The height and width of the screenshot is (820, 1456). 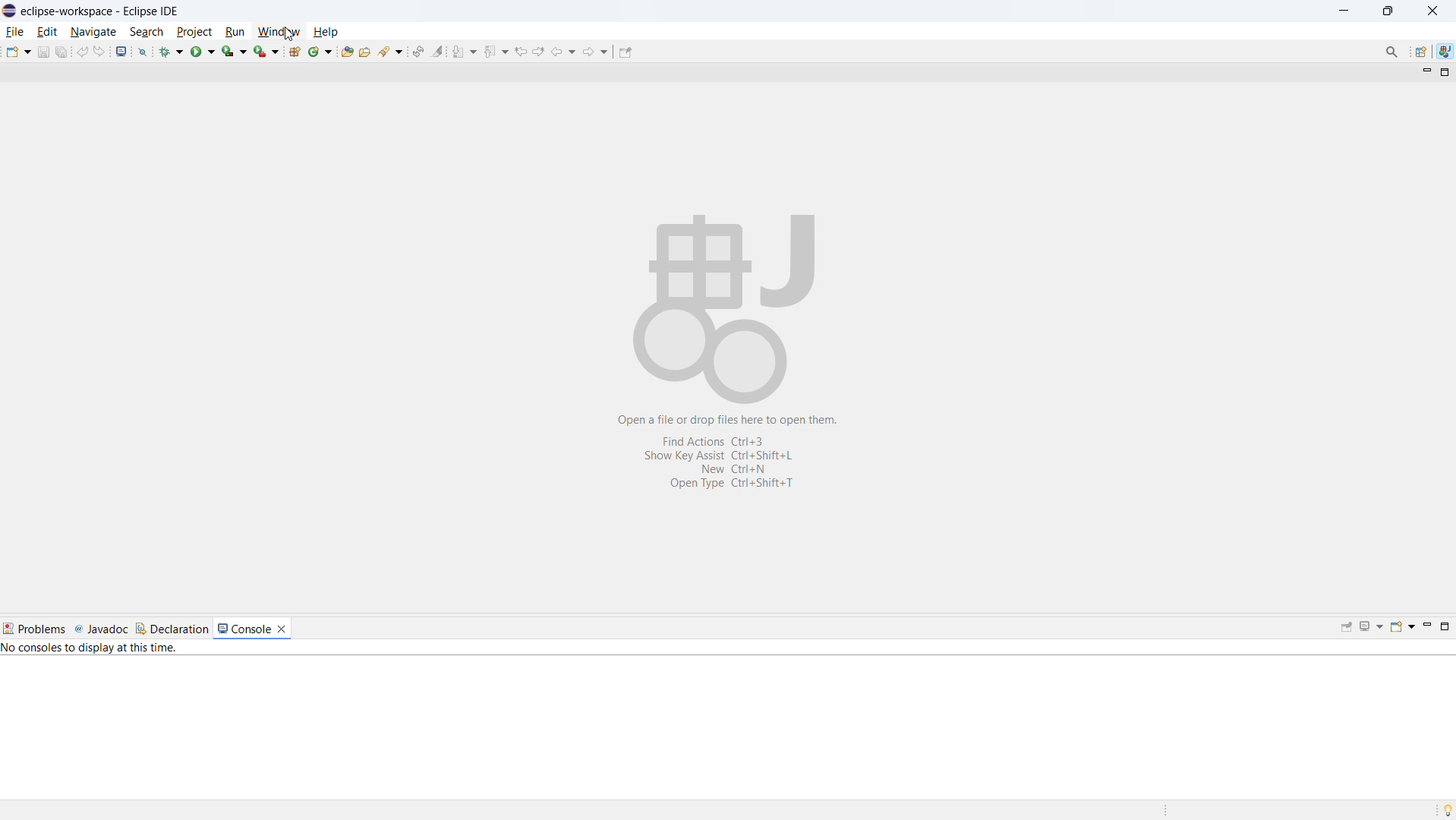 I want to click on Search, so click(x=1391, y=52).